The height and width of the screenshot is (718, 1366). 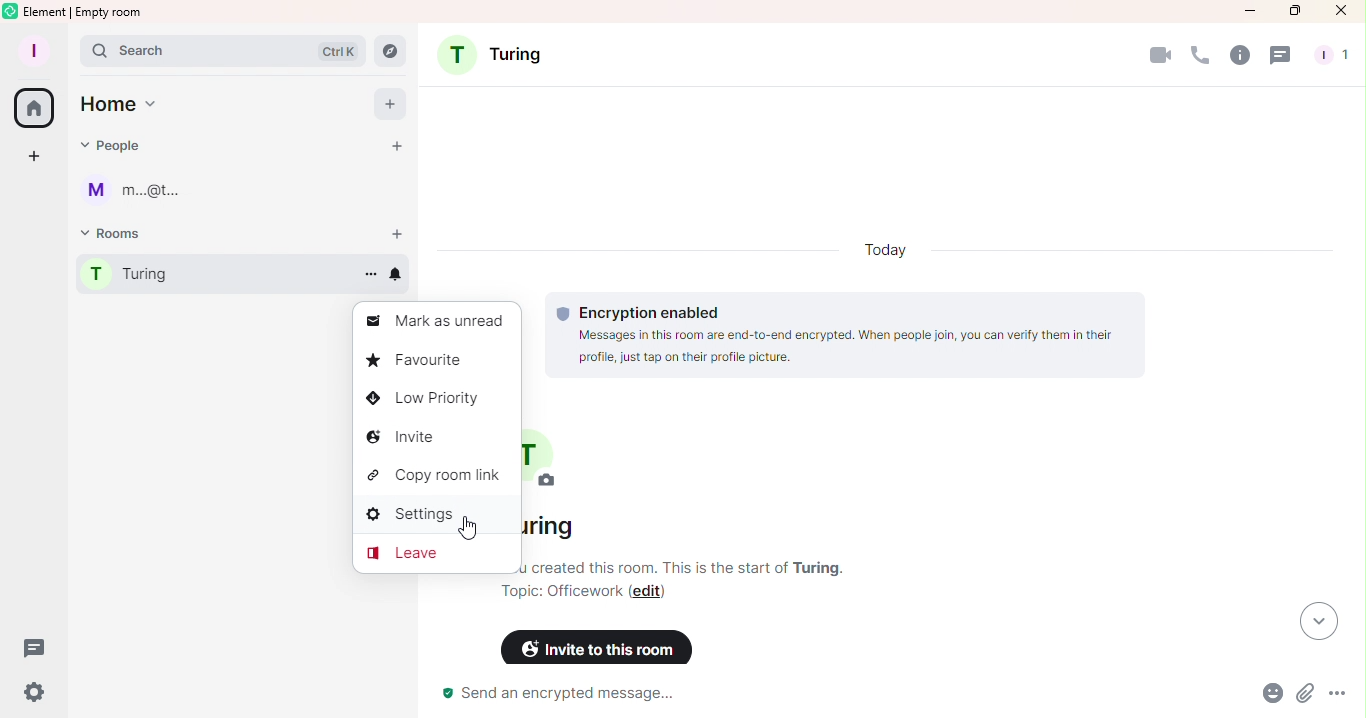 What do you see at coordinates (1336, 696) in the screenshot?
I see `More options` at bounding box center [1336, 696].